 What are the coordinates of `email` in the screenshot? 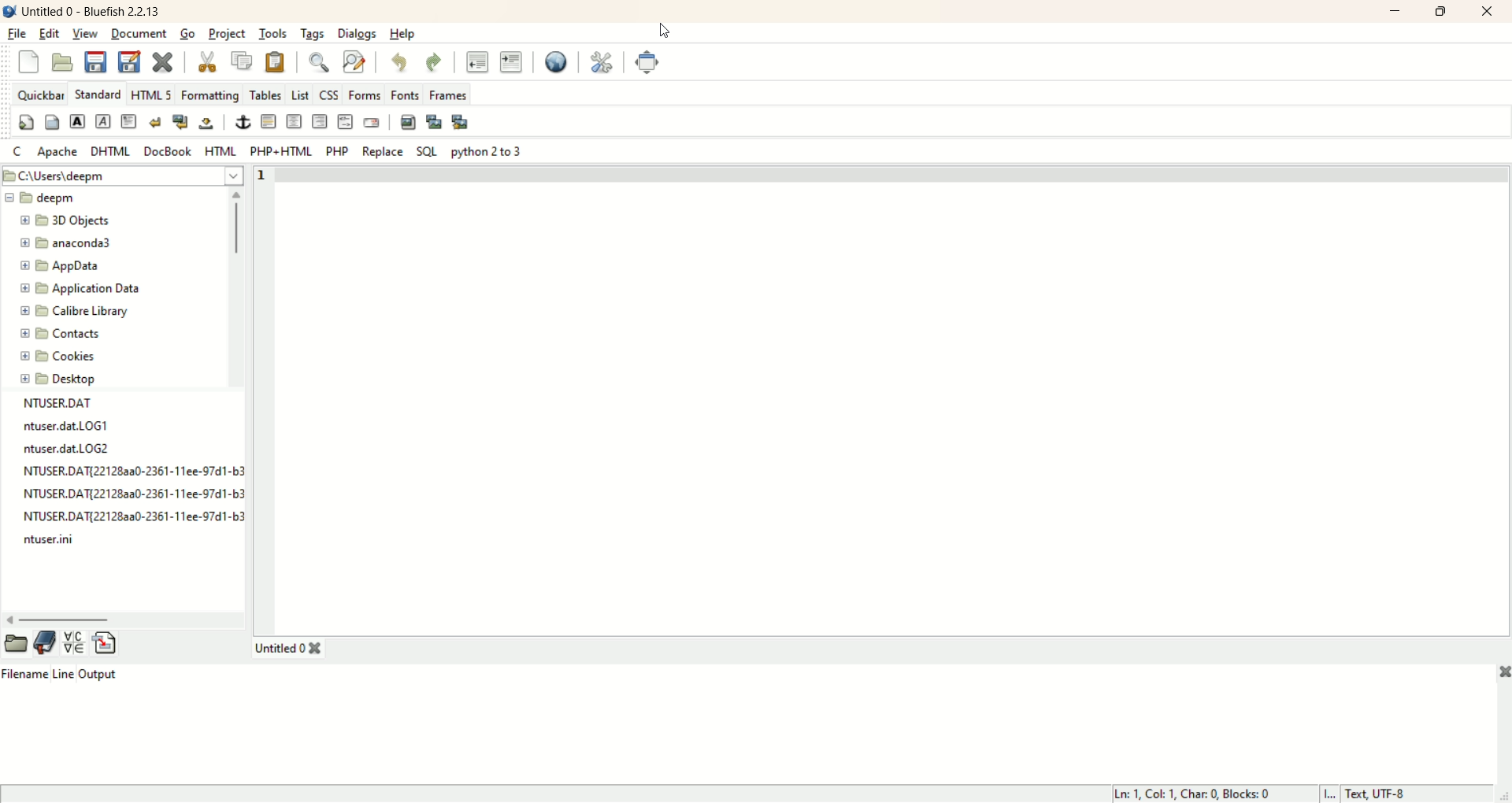 It's located at (371, 124).